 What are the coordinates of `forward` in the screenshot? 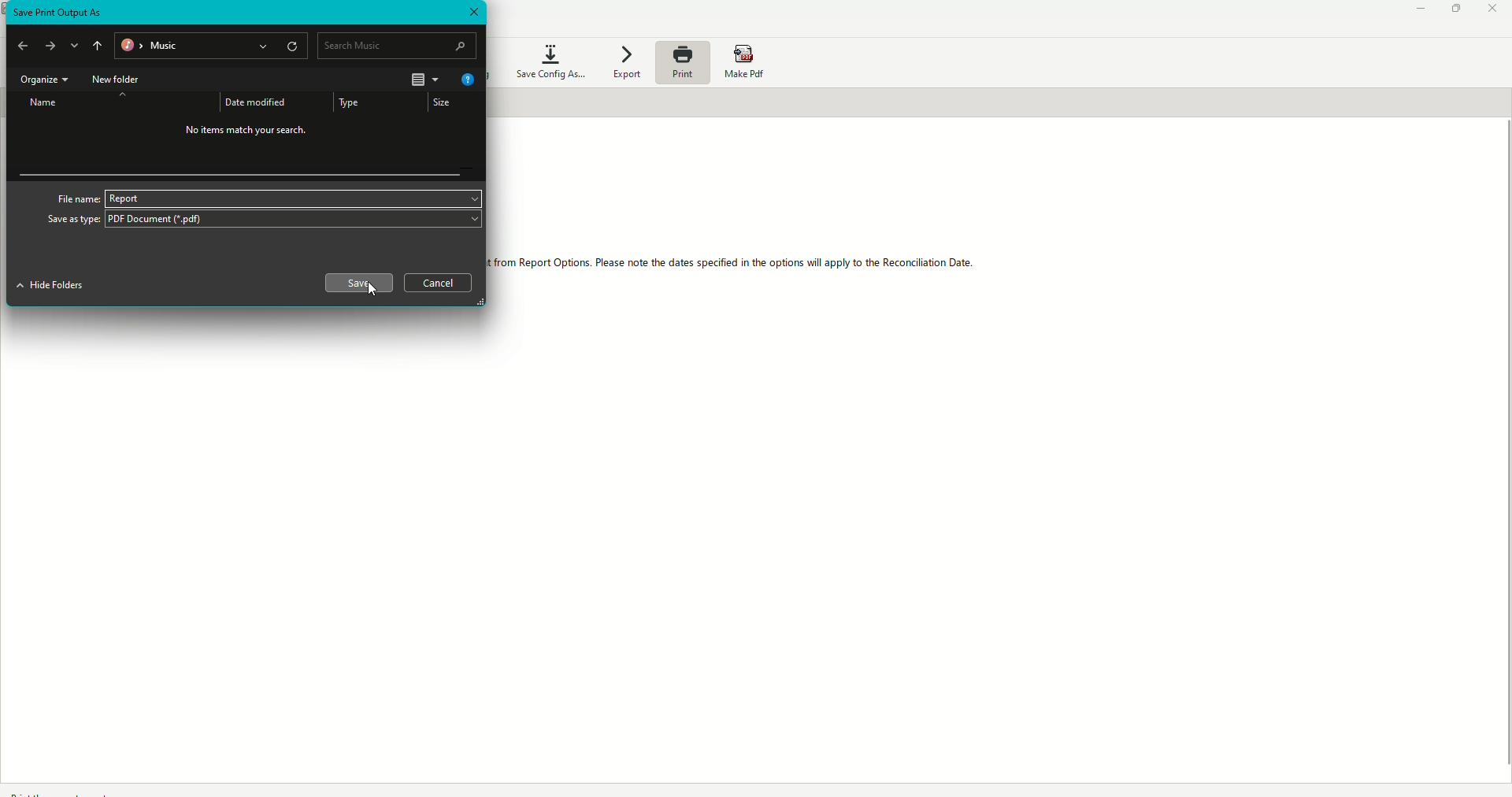 It's located at (51, 48).